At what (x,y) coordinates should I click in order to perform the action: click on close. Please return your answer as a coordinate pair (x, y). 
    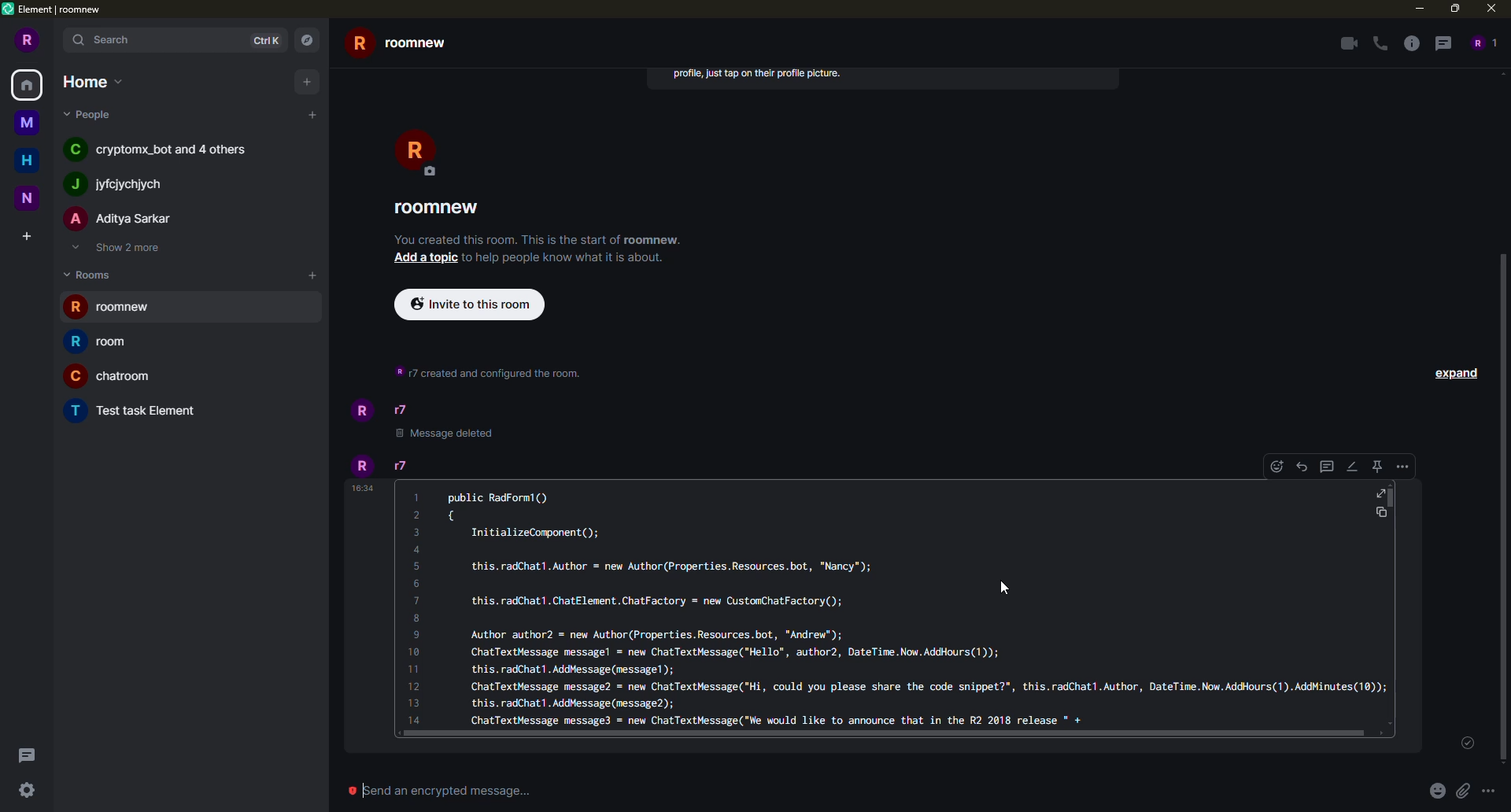
    Looking at the image, I should click on (1490, 9).